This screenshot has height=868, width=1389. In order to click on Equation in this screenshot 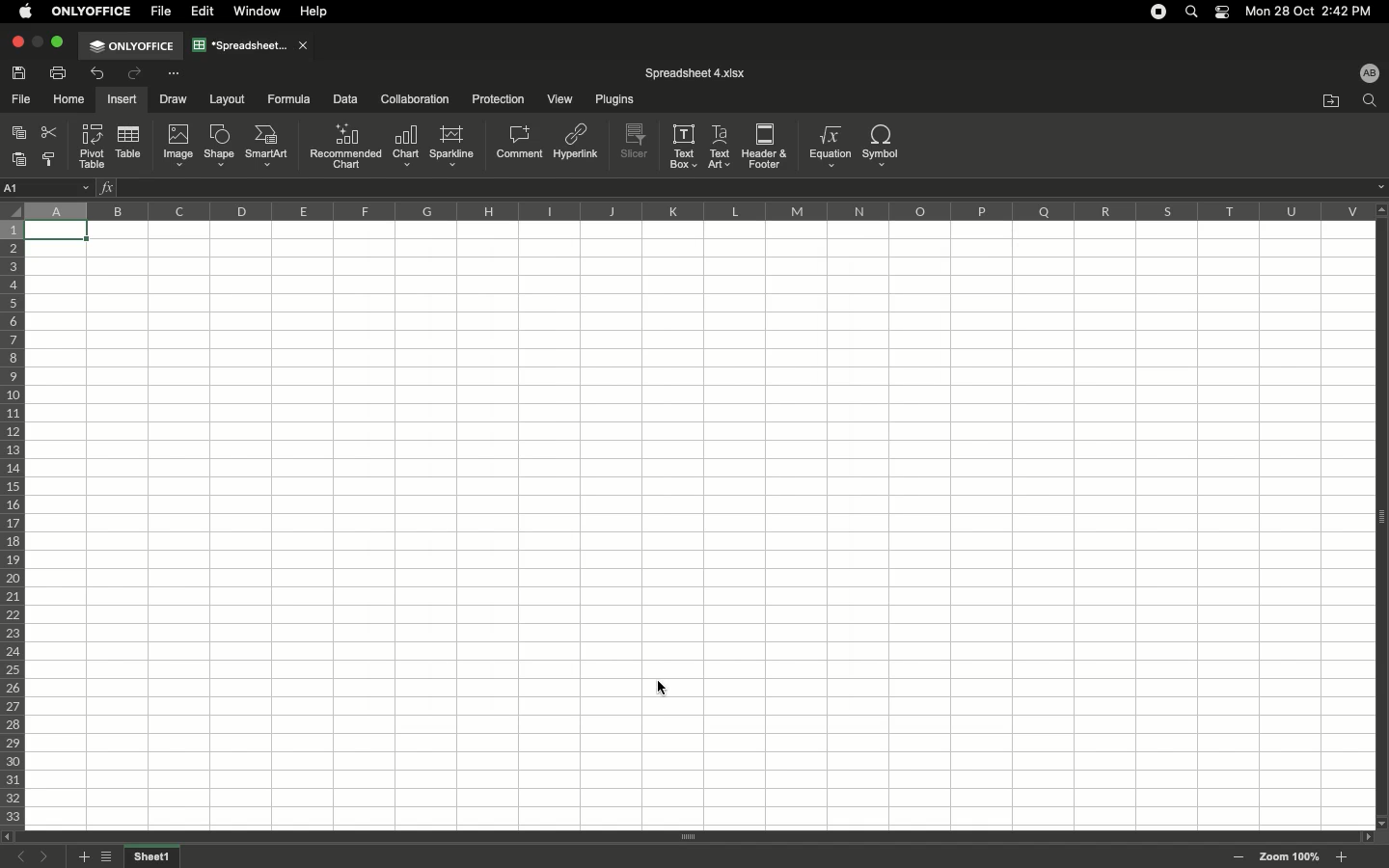, I will do `click(828, 146)`.